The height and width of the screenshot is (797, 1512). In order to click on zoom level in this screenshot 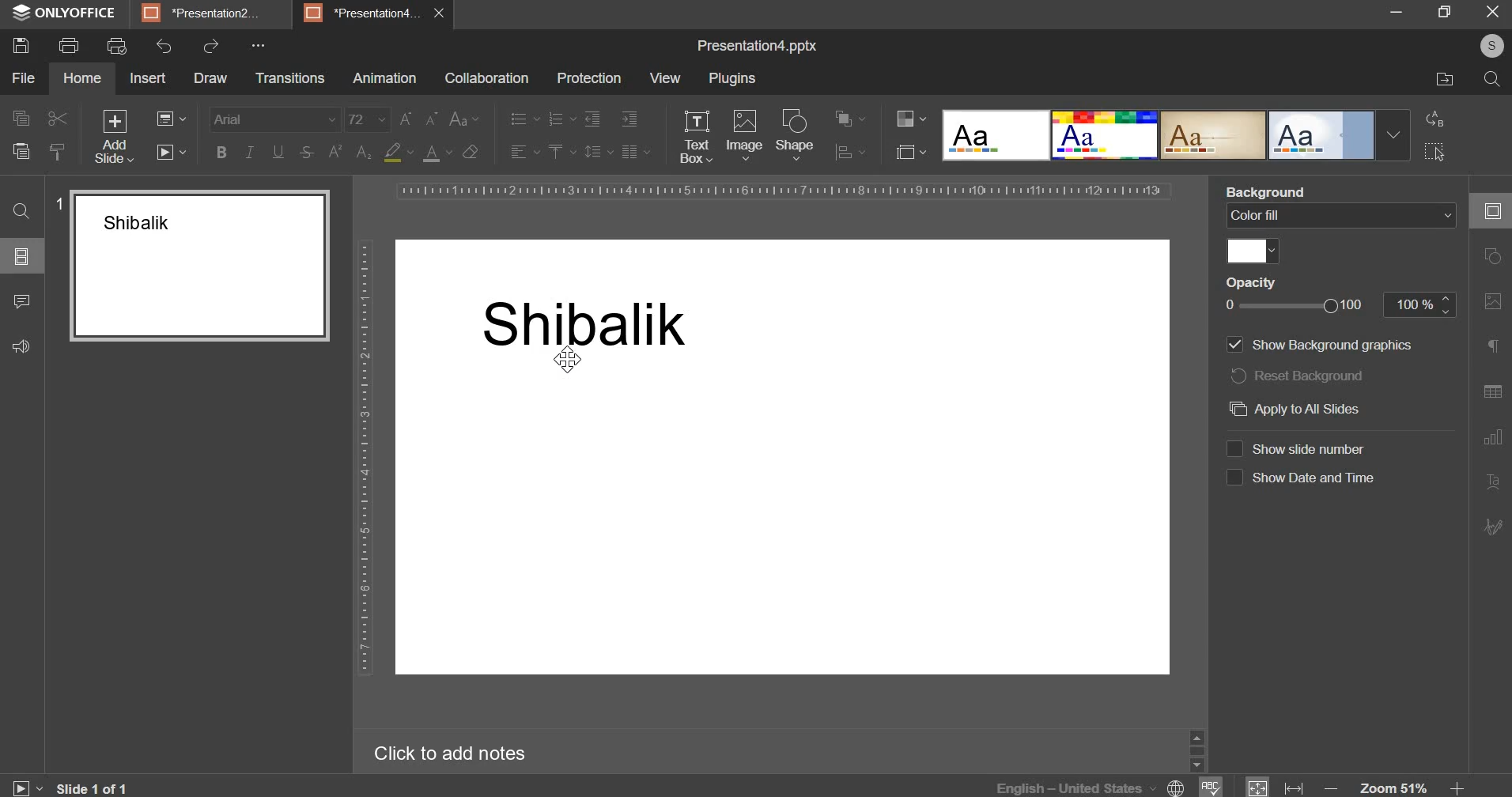, I will do `click(1393, 784)`.